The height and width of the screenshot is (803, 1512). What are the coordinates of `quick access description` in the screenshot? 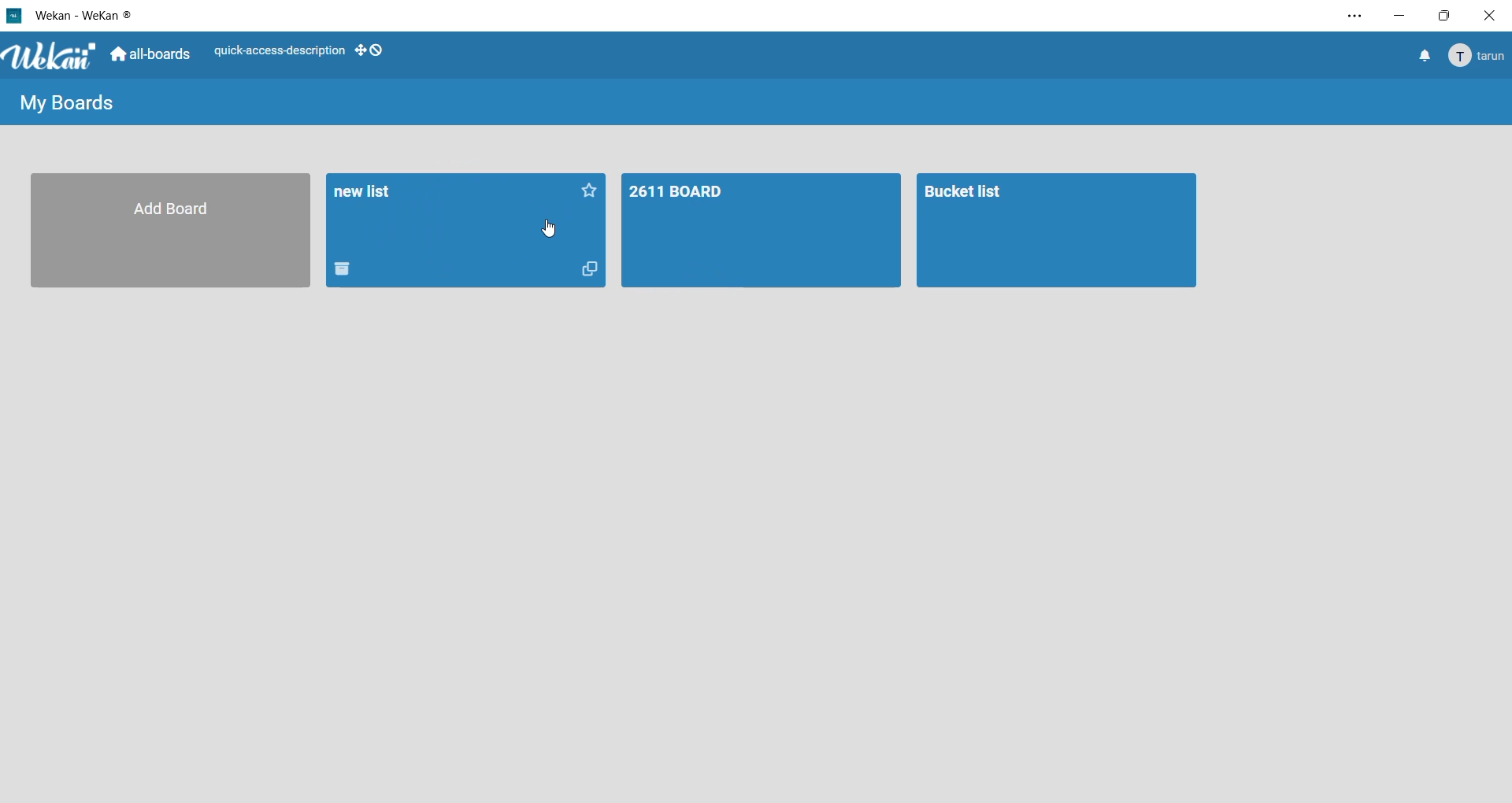 It's located at (279, 49).